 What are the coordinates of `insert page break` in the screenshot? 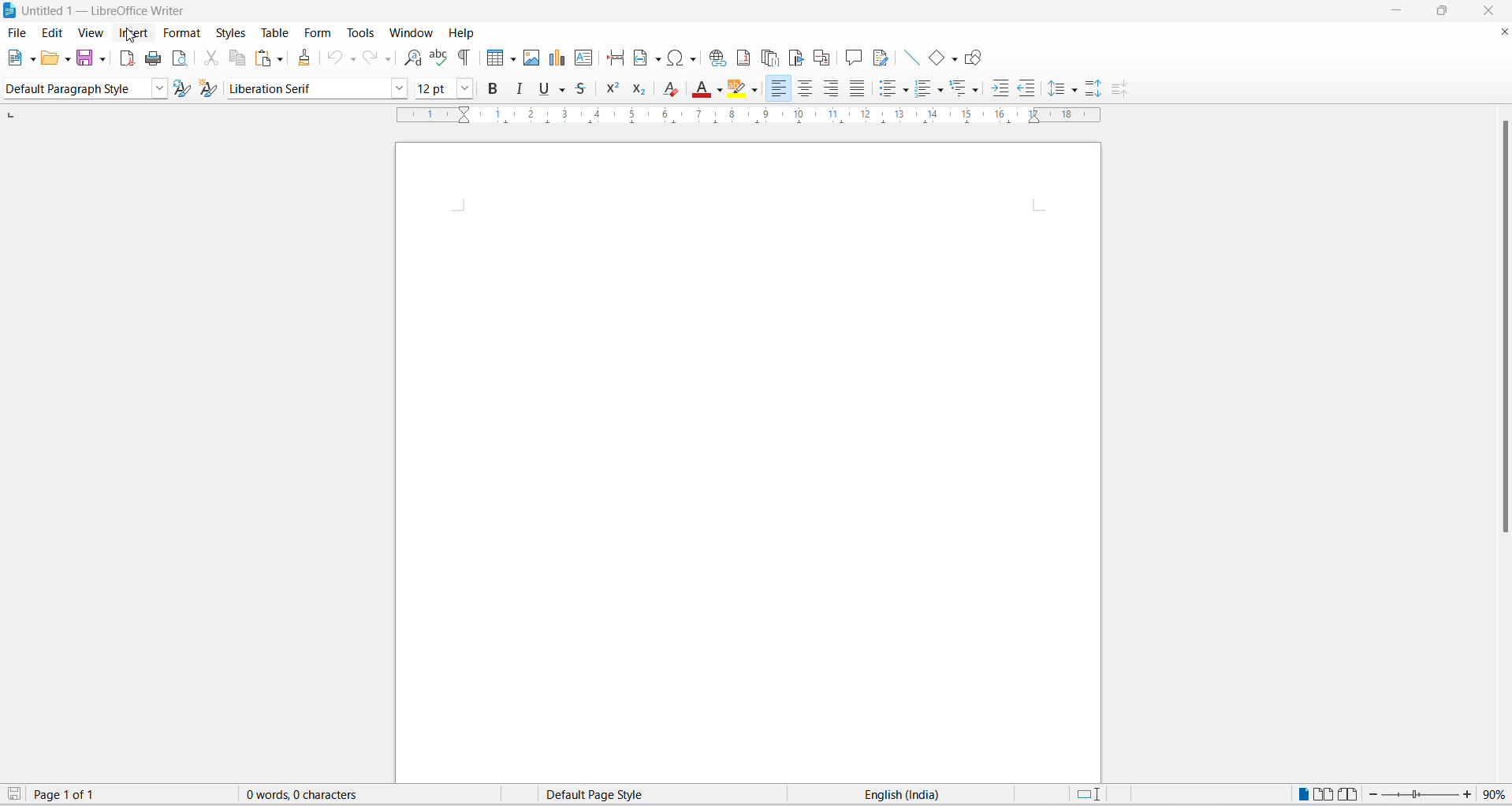 It's located at (612, 58).